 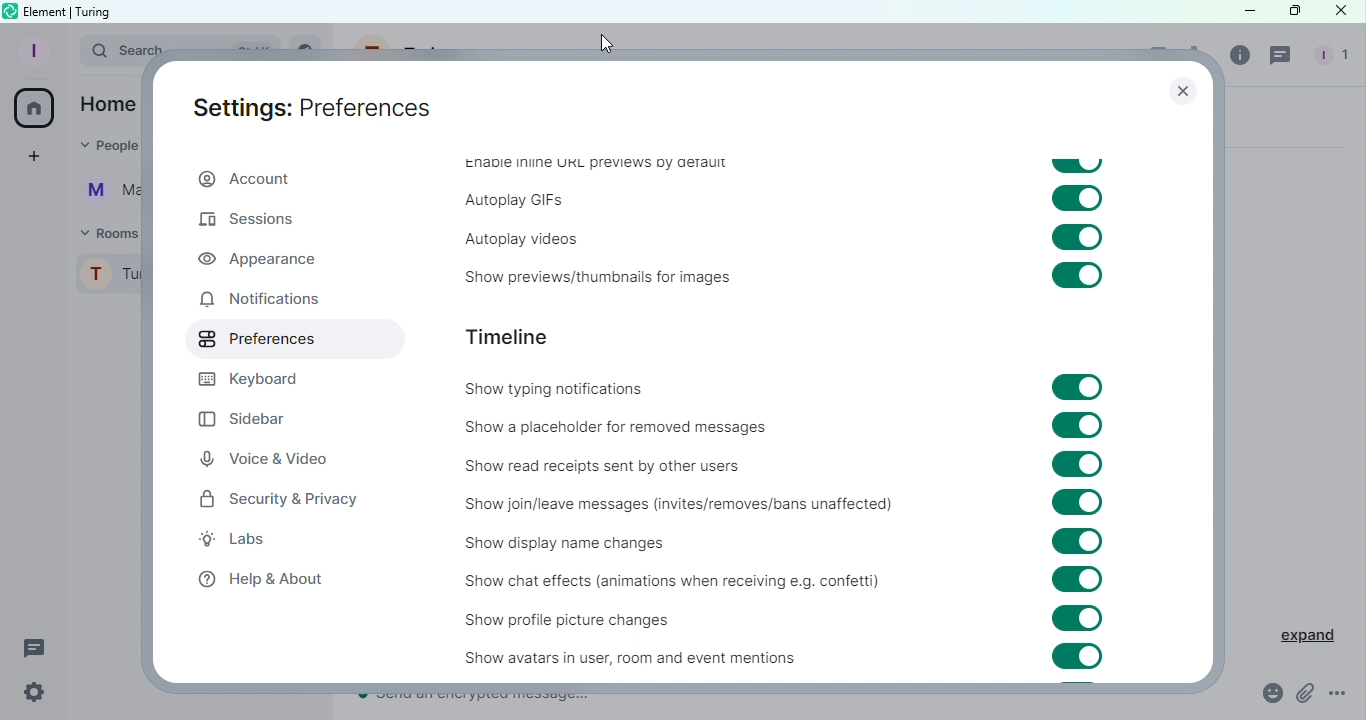 I want to click on Element icon, so click(x=9, y=11).